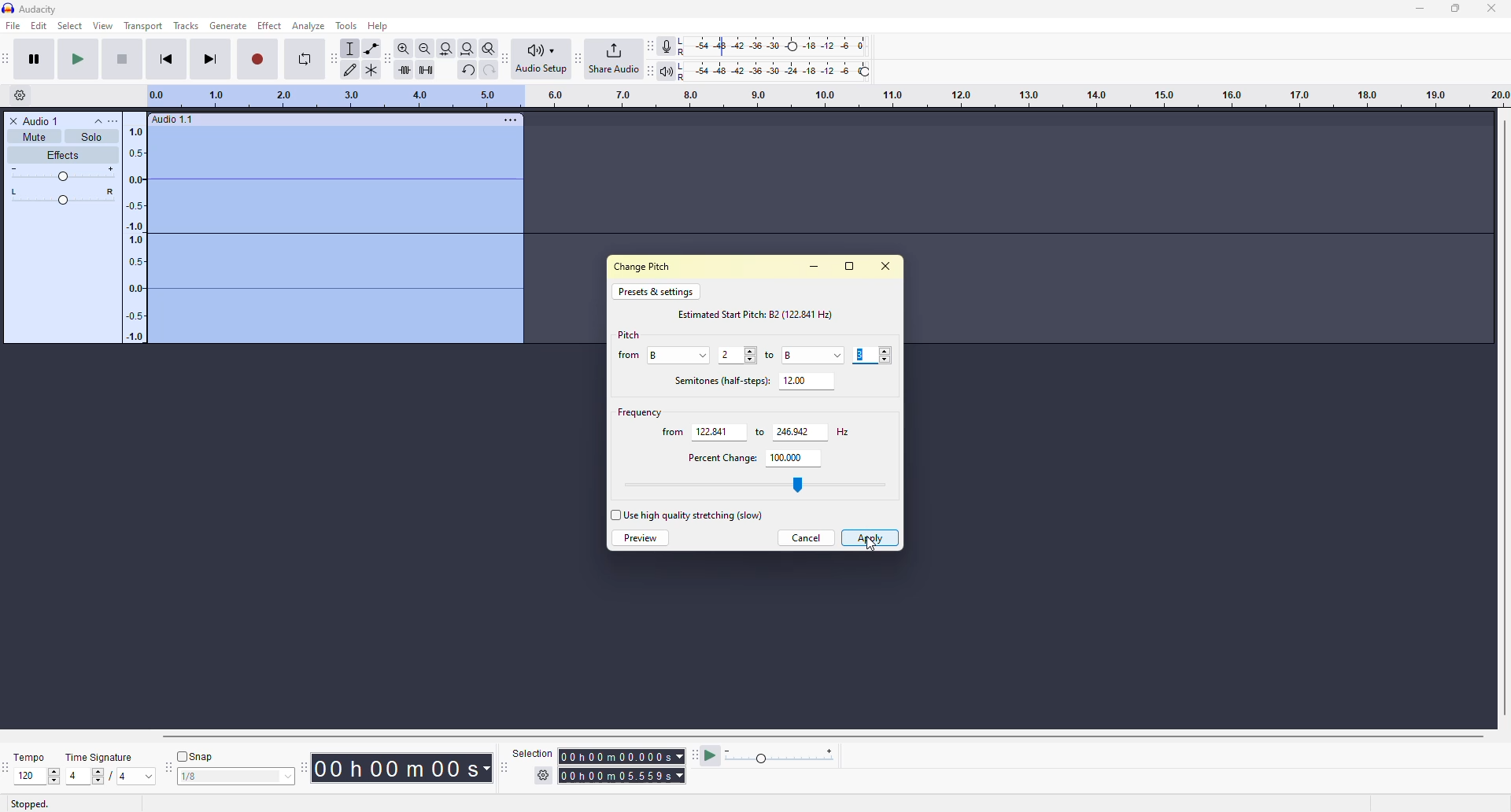 Image resolution: width=1511 pixels, height=812 pixels. What do you see at coordinates (507, 58) in the screenshot?
I see `audio setup toolbar` at bounding box center [507, 58].